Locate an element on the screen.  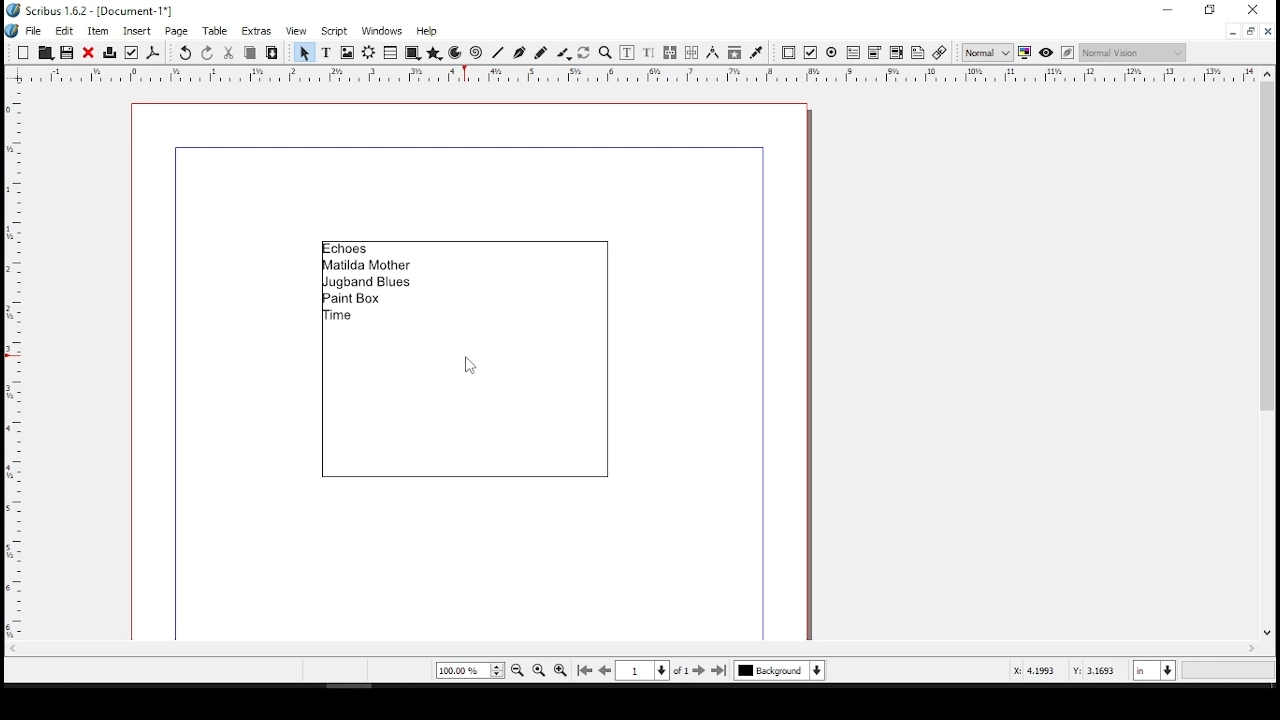
close window is located at coordinates (1256, 9).